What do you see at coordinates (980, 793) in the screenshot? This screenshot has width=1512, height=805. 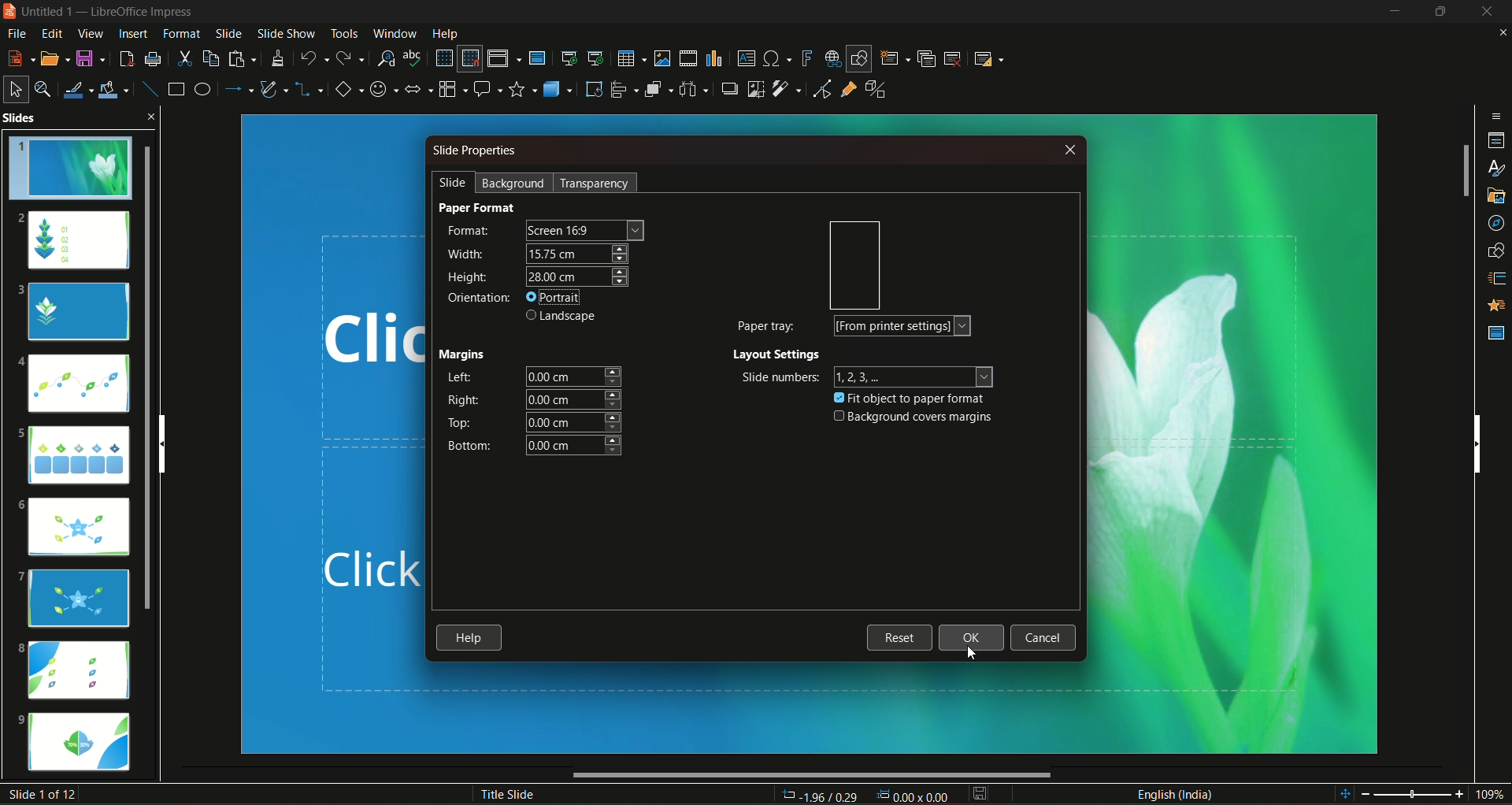 I see `save` at bounding box center [980, 793].